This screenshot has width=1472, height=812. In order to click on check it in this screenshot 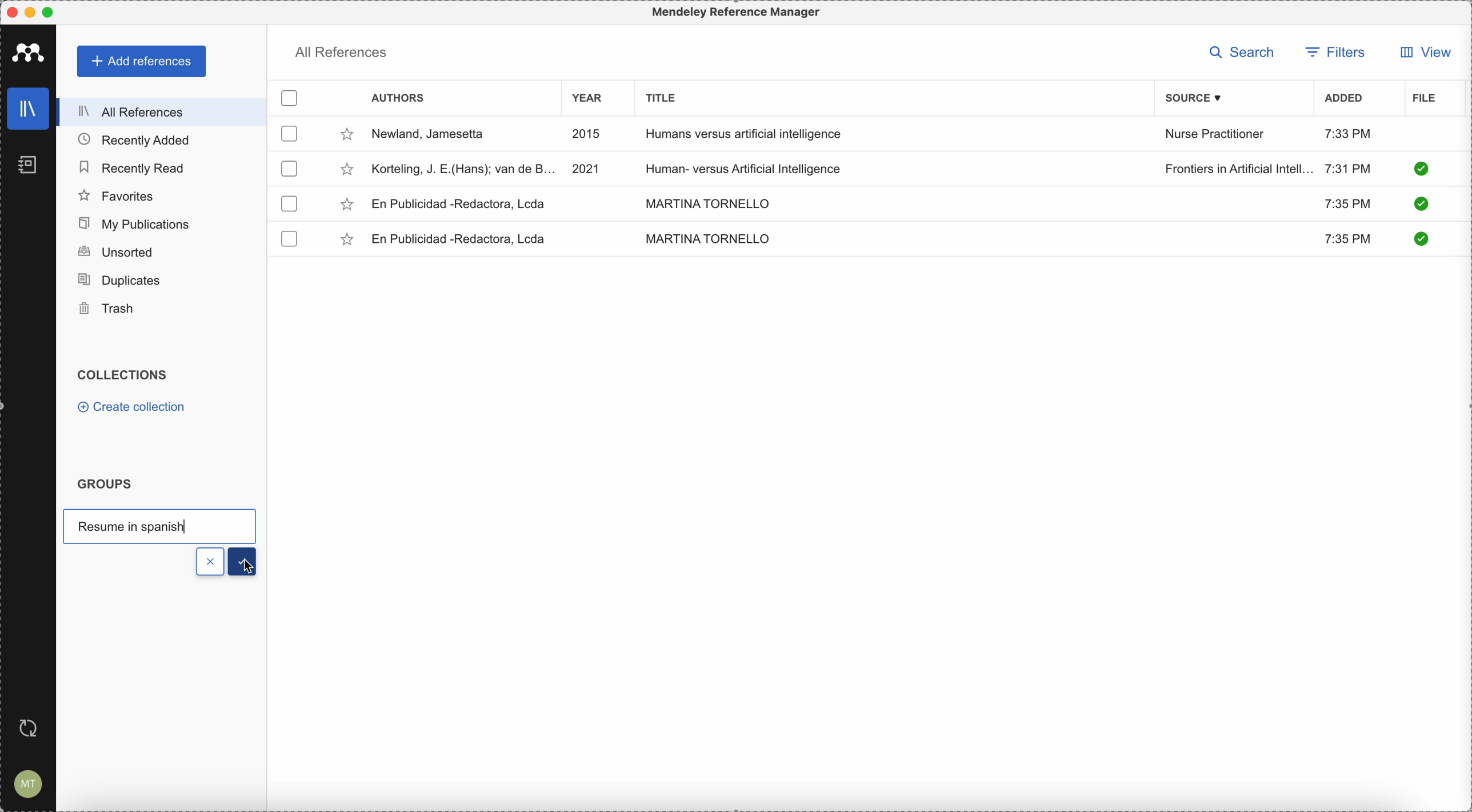, I will do `click(1419, 205)`.